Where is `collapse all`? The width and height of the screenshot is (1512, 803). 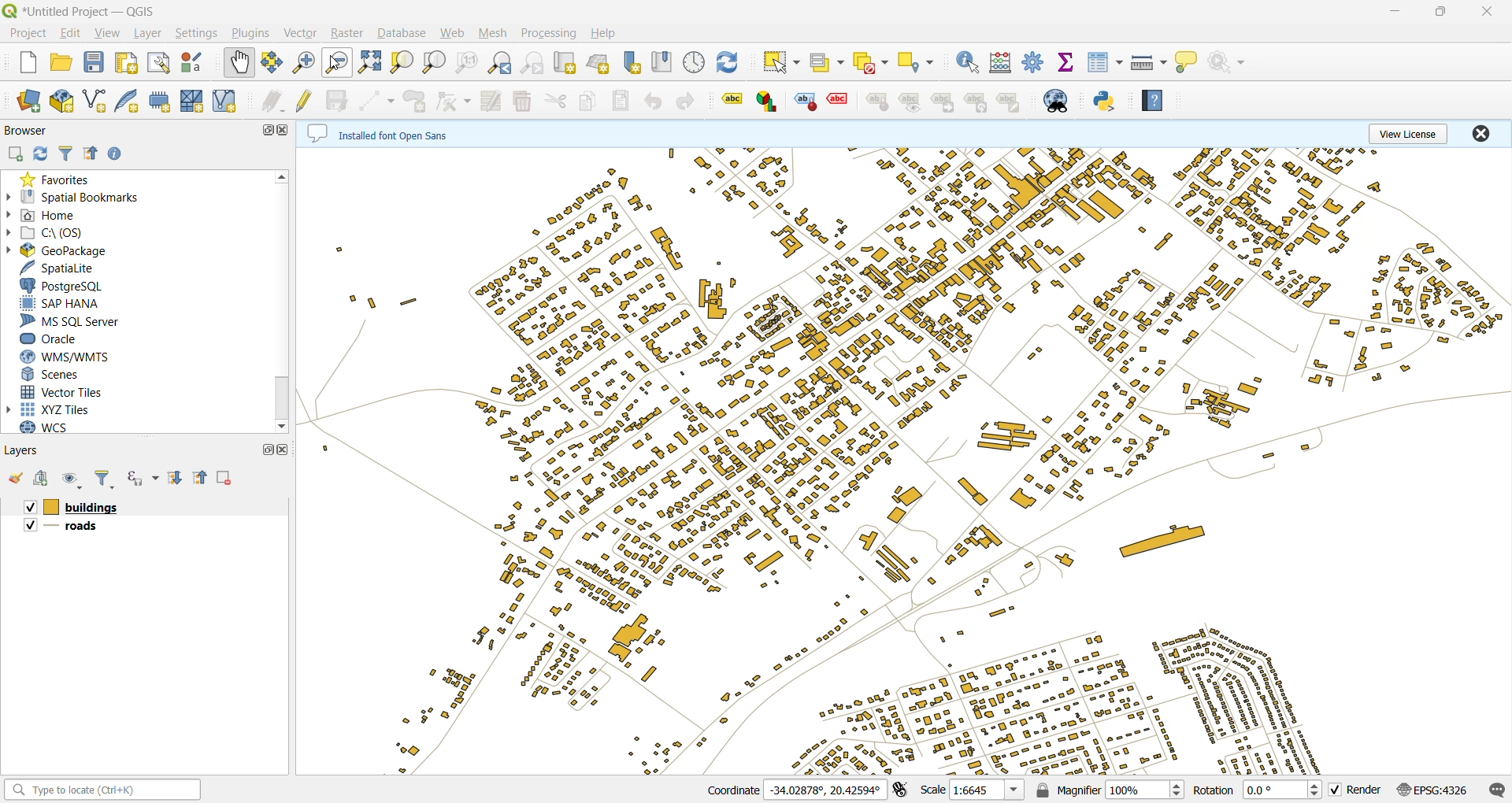
collapse all is located at coordinates (90, 152).